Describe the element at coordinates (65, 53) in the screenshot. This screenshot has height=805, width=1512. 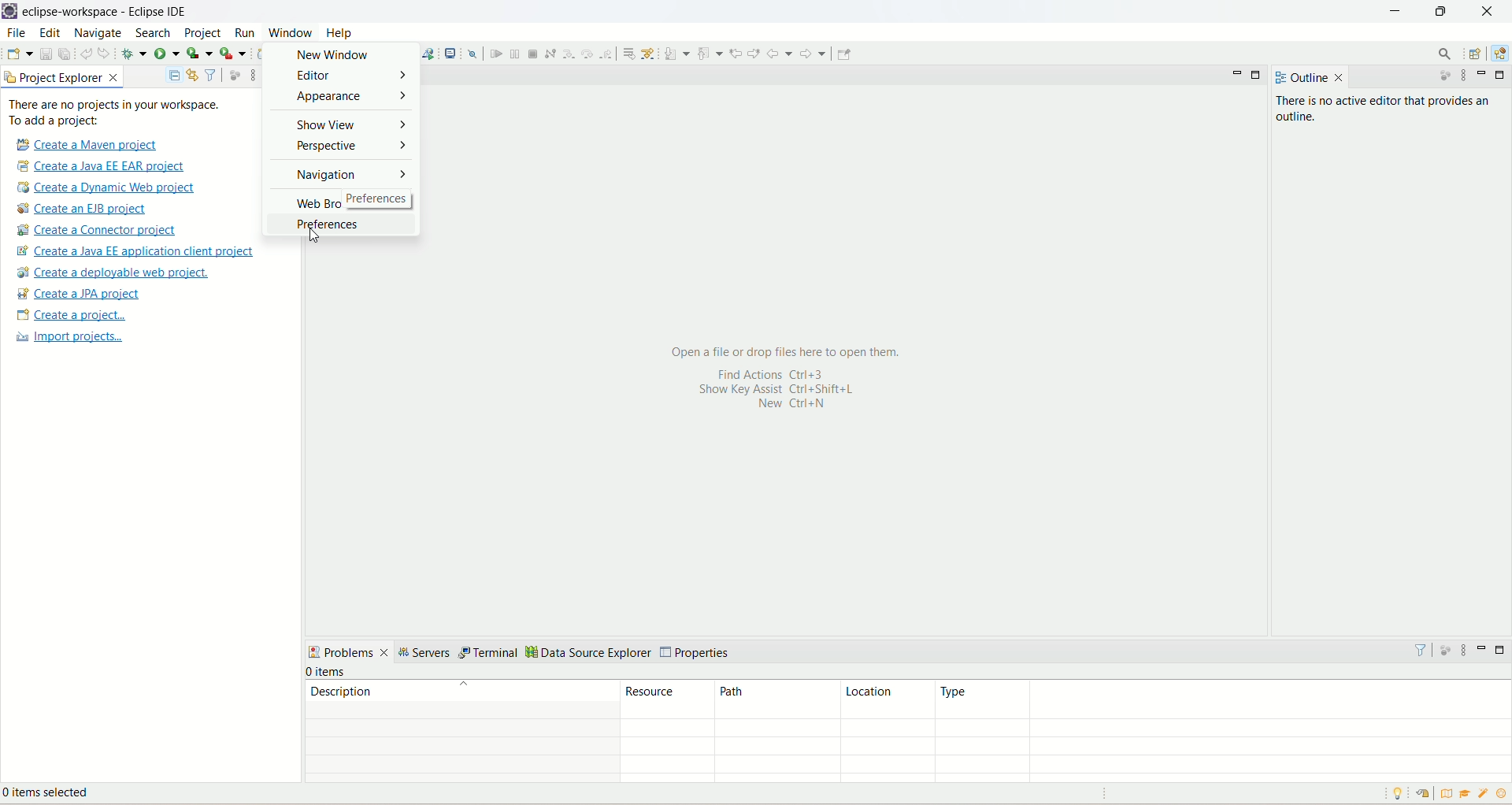
I see `save all` at that location.